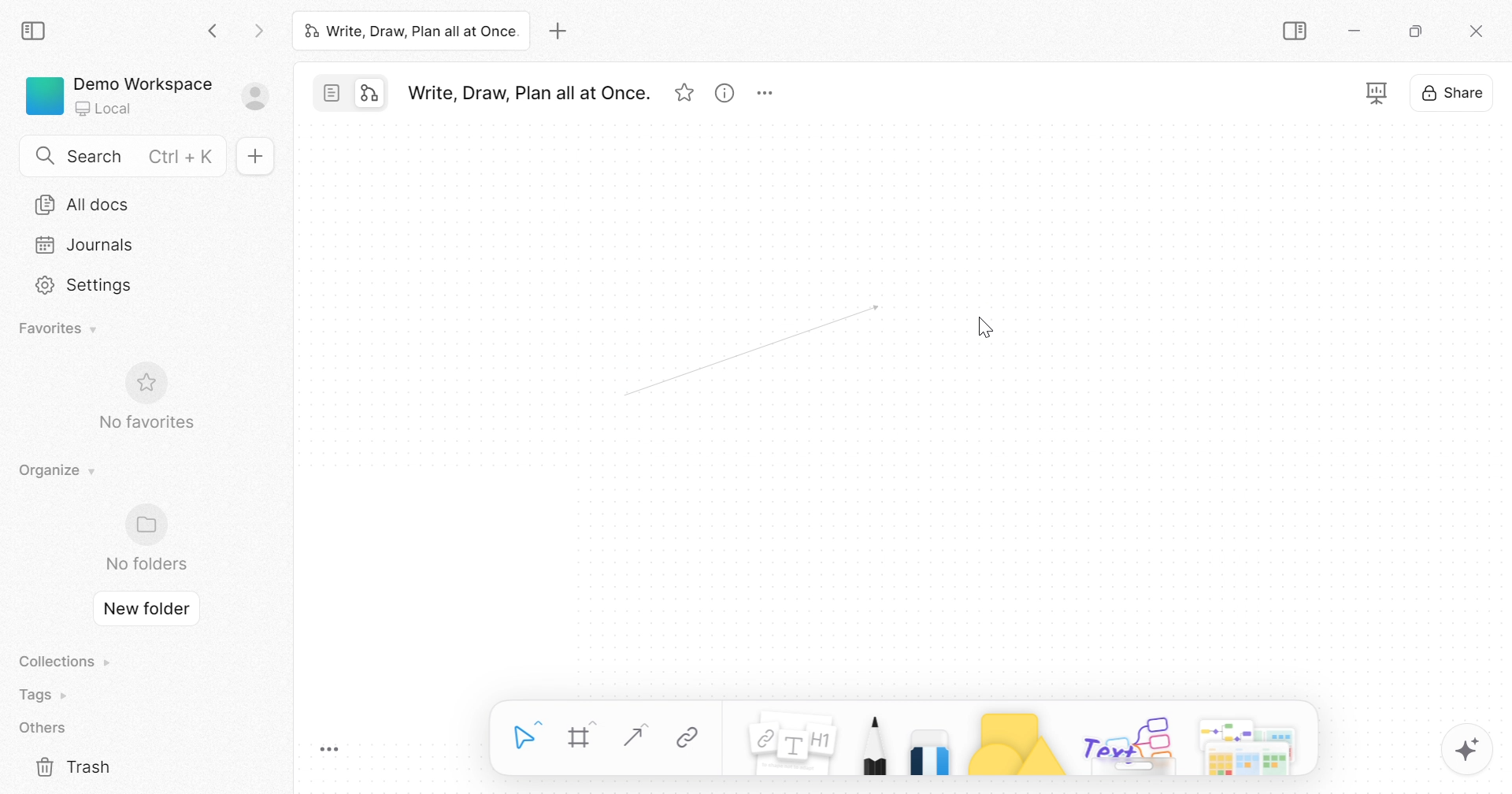 This screenshot has width=1512, height=794. Describe the element at coordinates (410, 30) in the screenshot. I see `Write, Draw, Plan all at Once.` at that location.